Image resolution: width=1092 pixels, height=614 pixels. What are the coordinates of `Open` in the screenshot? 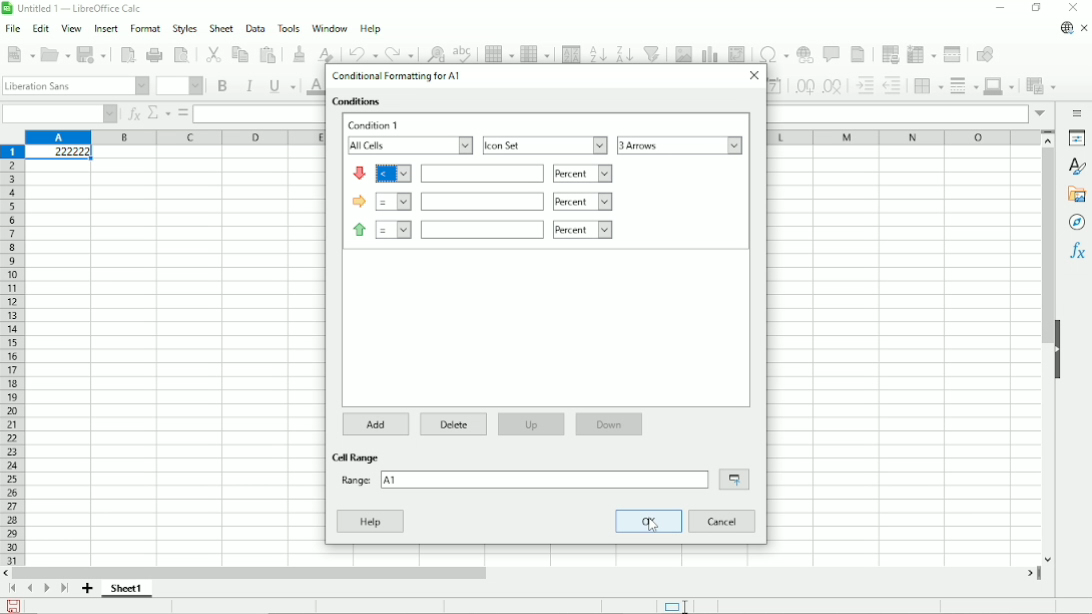 It's located at (56, 54).